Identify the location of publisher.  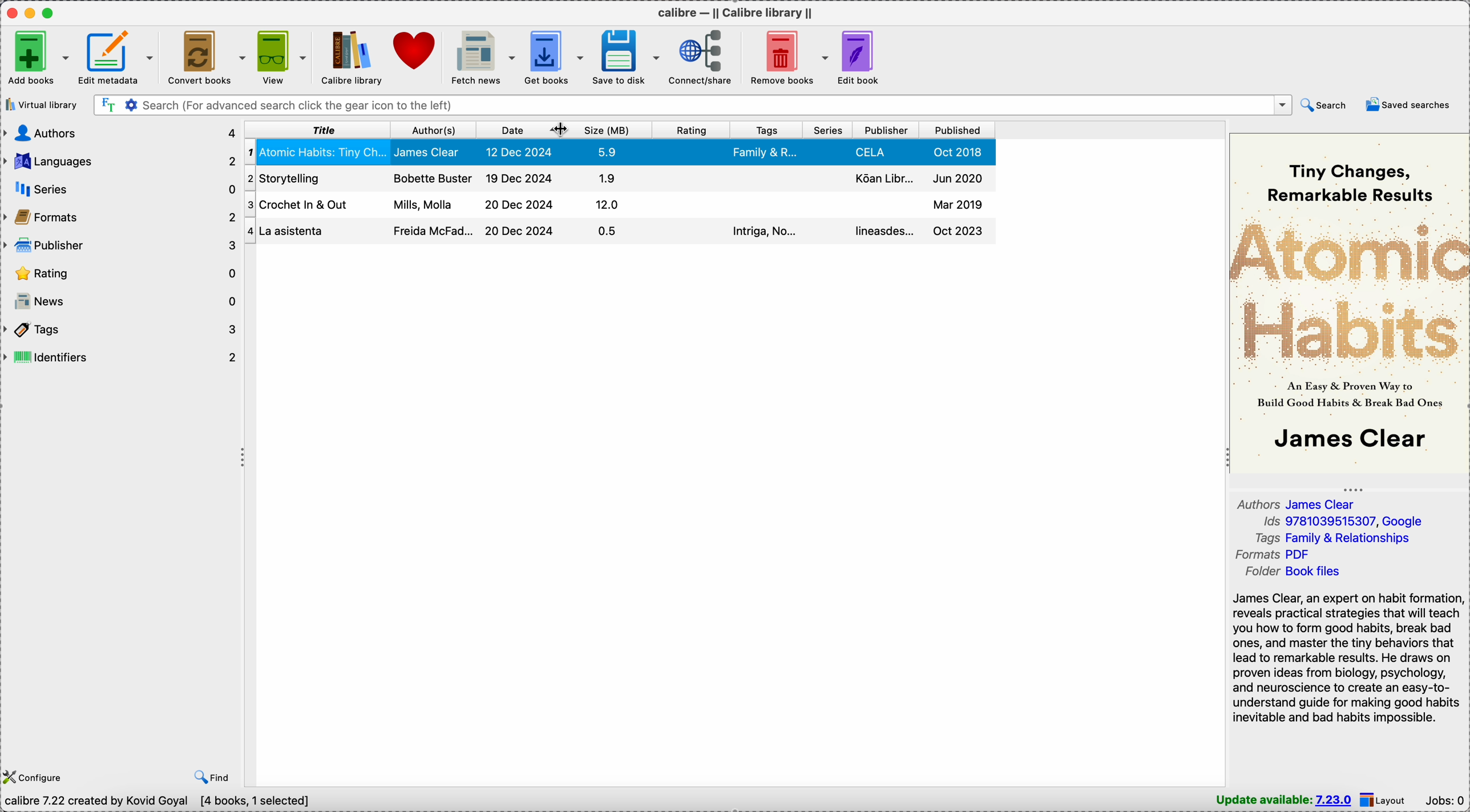
(887, 130).